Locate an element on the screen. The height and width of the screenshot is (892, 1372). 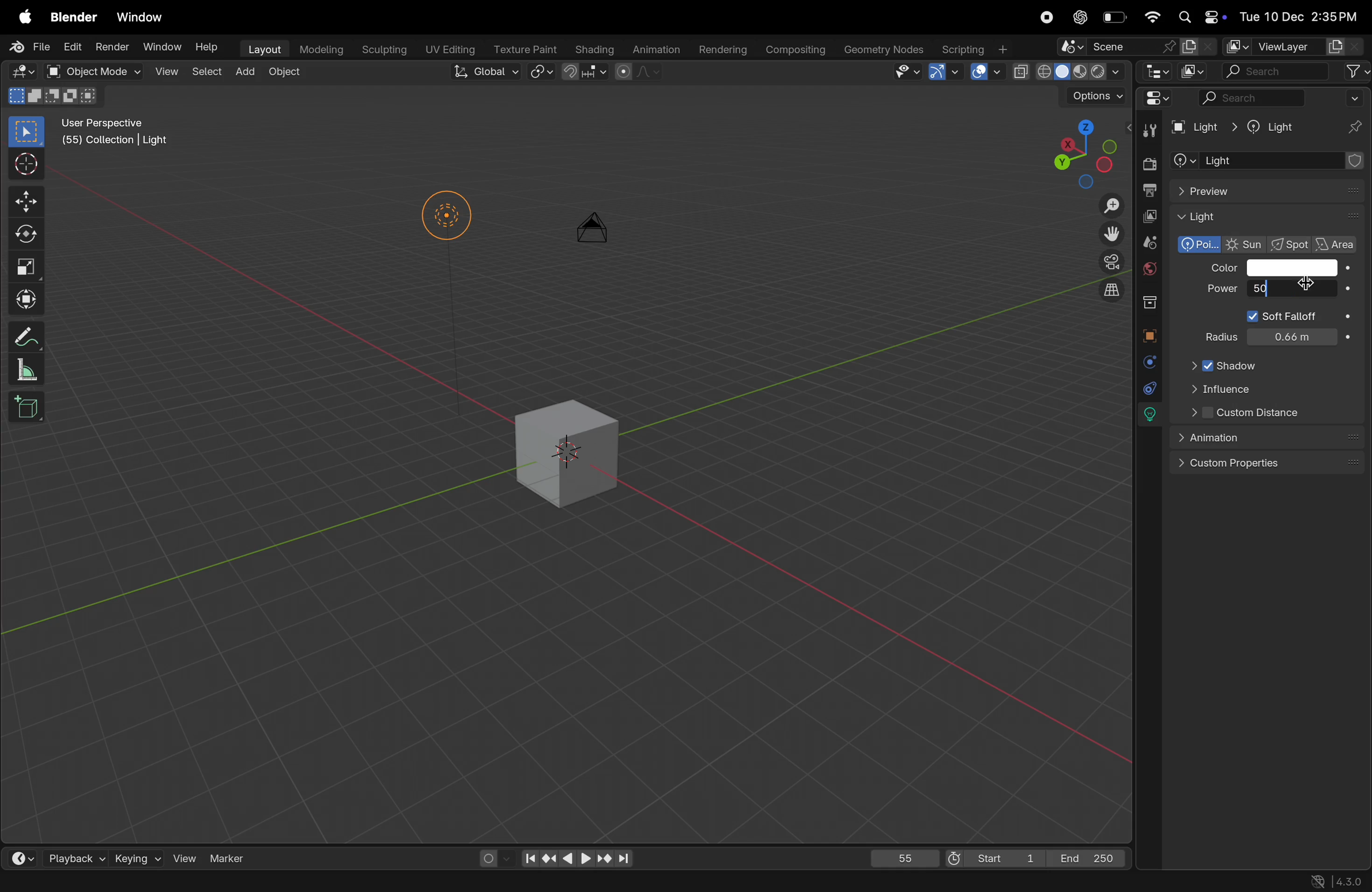
modelling is located at coordinates (321, 50).